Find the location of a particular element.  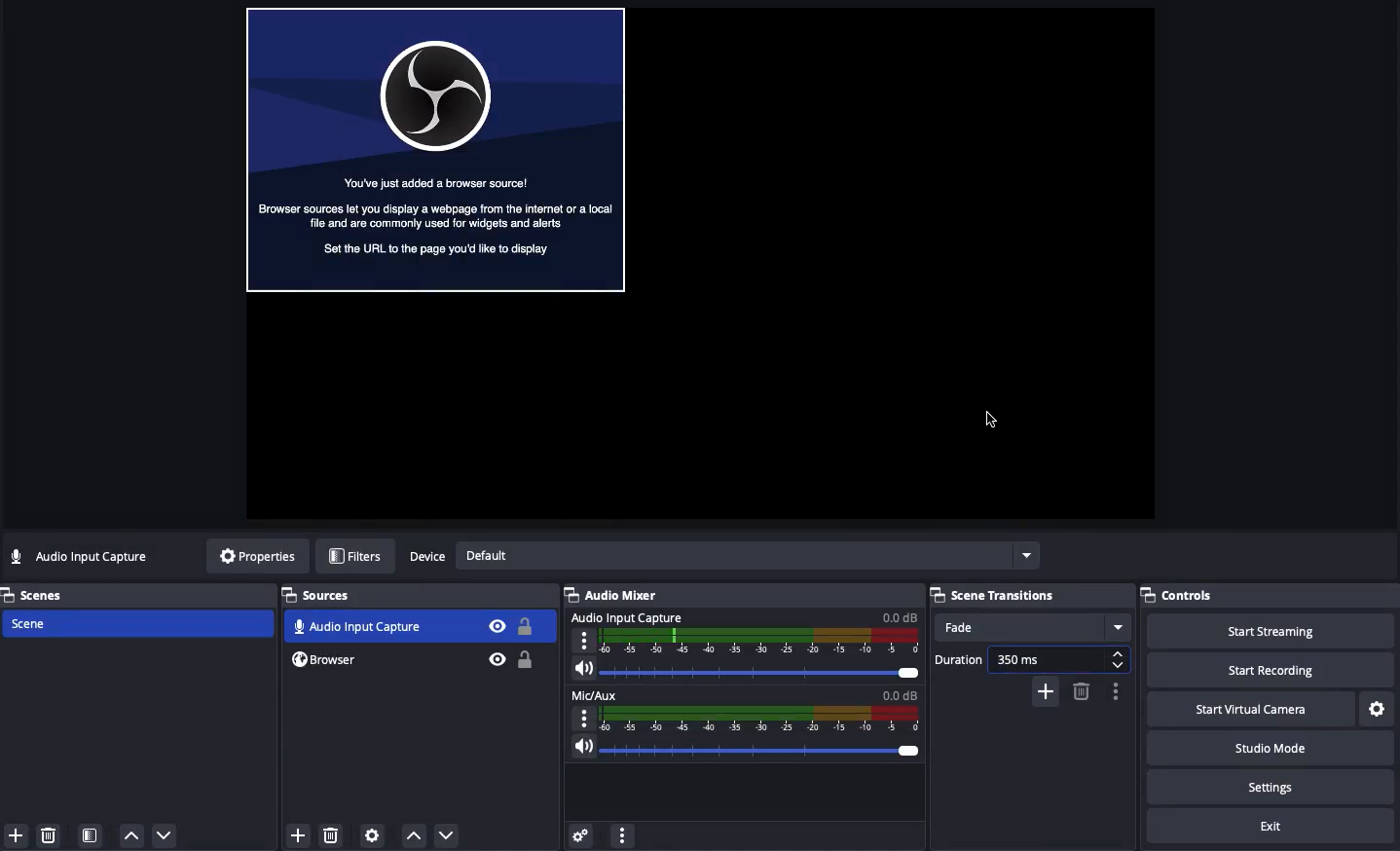

File is located at coordinates (440, 156).